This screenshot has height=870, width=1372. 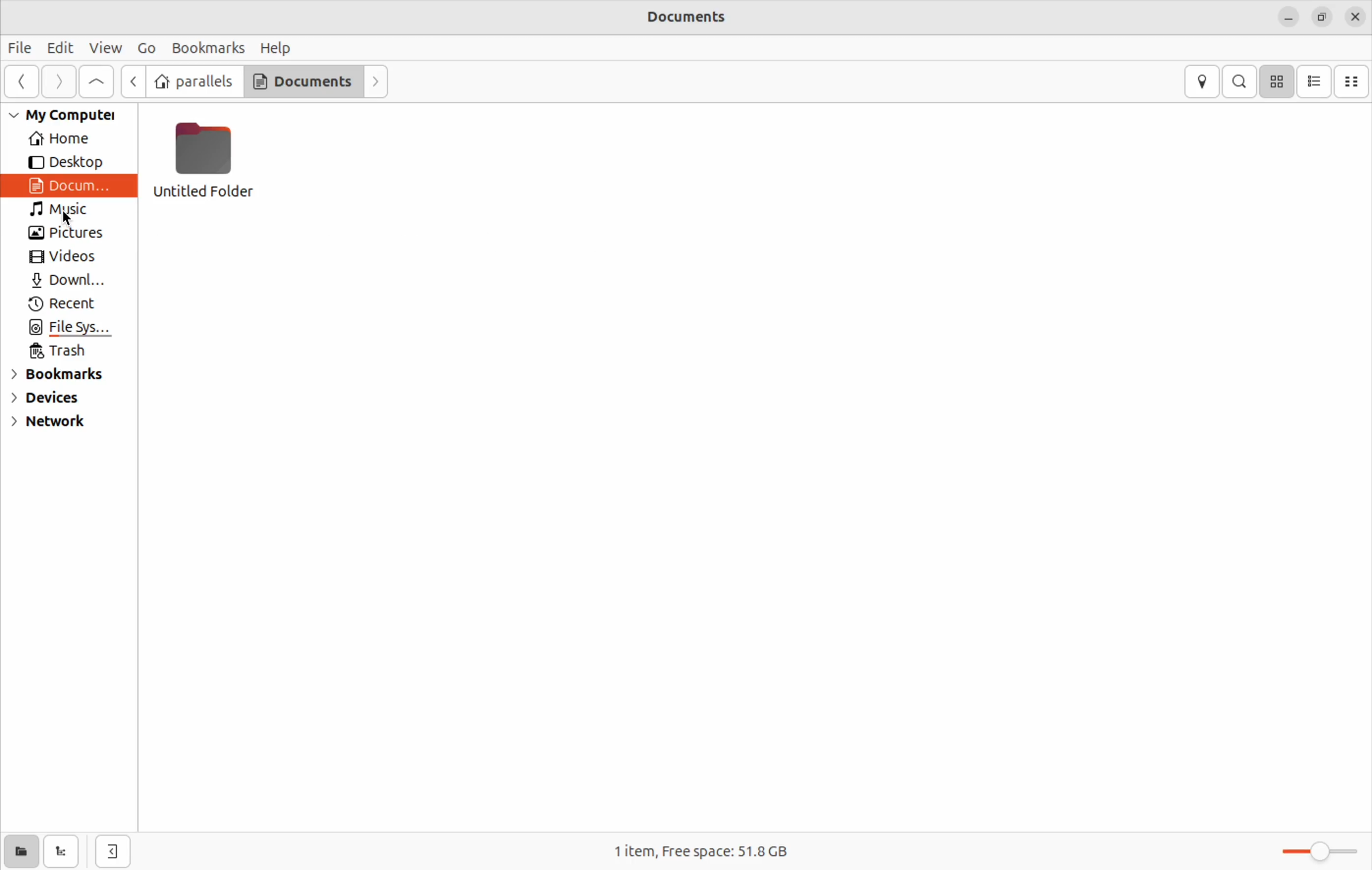 What do you see at coordinates (66, 162) in the screenshot?
I see `Desktop` at bounding box center [66, 162].